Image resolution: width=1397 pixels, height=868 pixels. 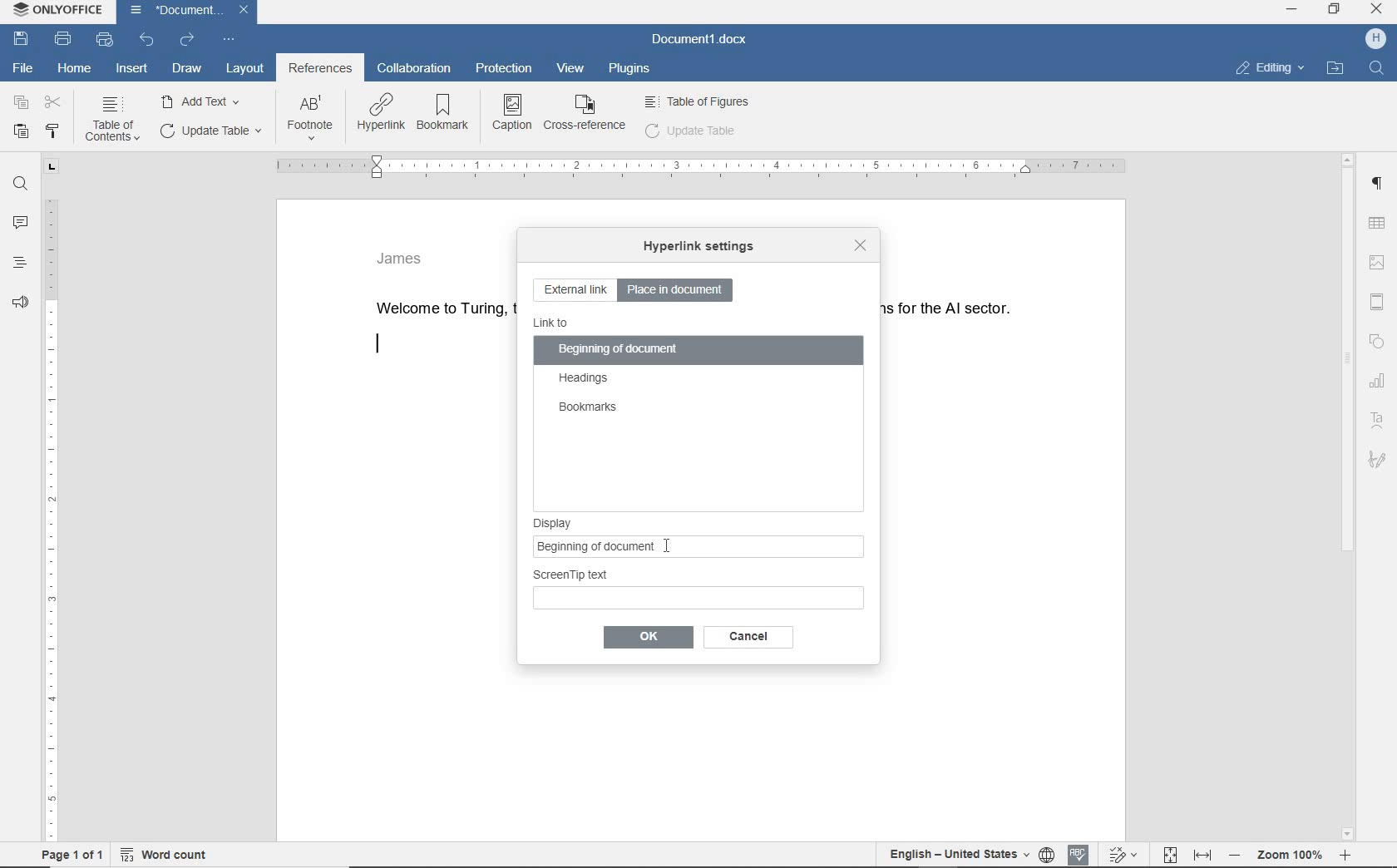 What do you see at coordinates (1047, 856) in the screenshot?
I see `set document language` at bounding box center [1047, 856].